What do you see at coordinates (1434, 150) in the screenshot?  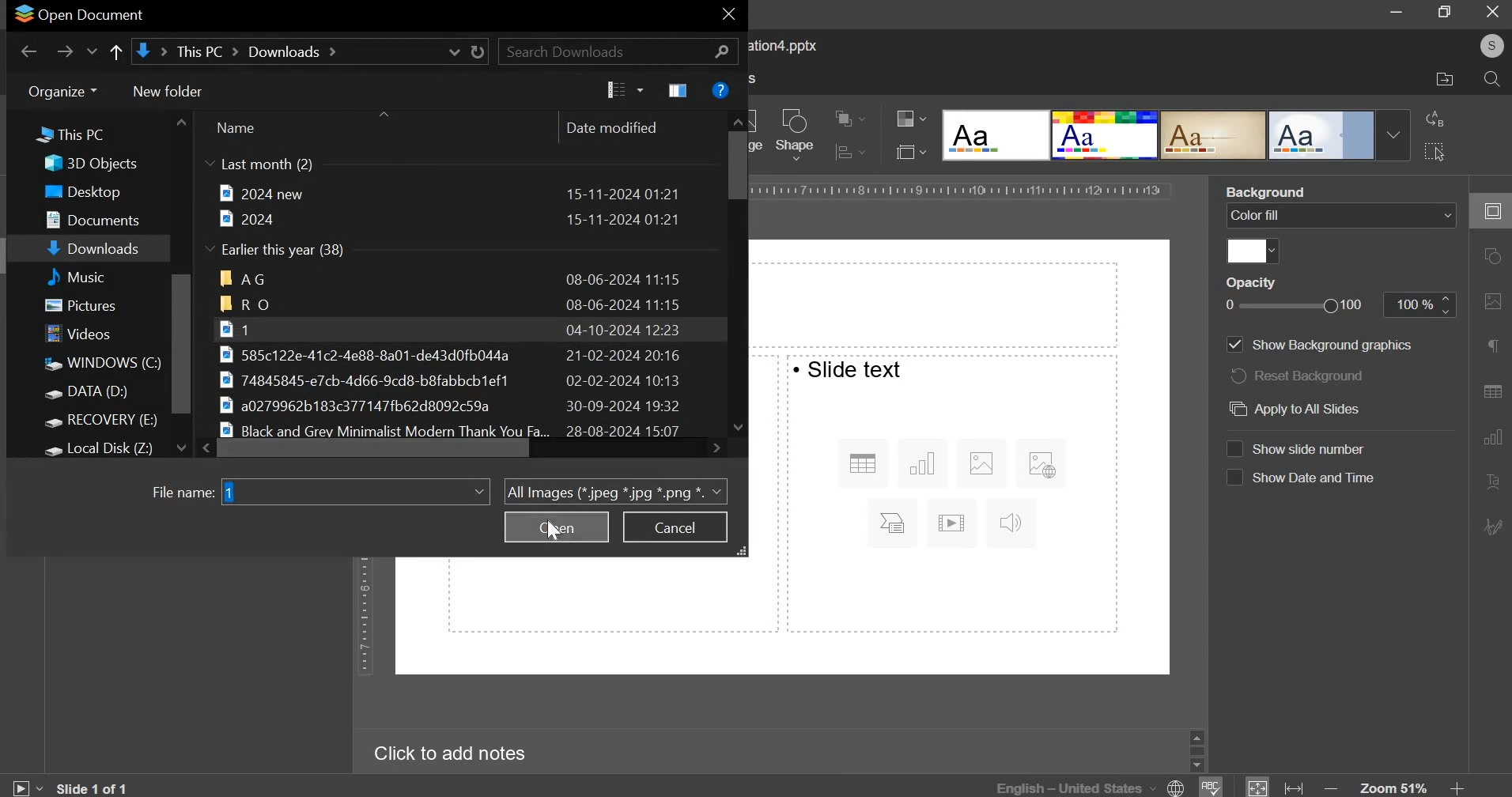 I see `select` at bounding box center [1434, 150].